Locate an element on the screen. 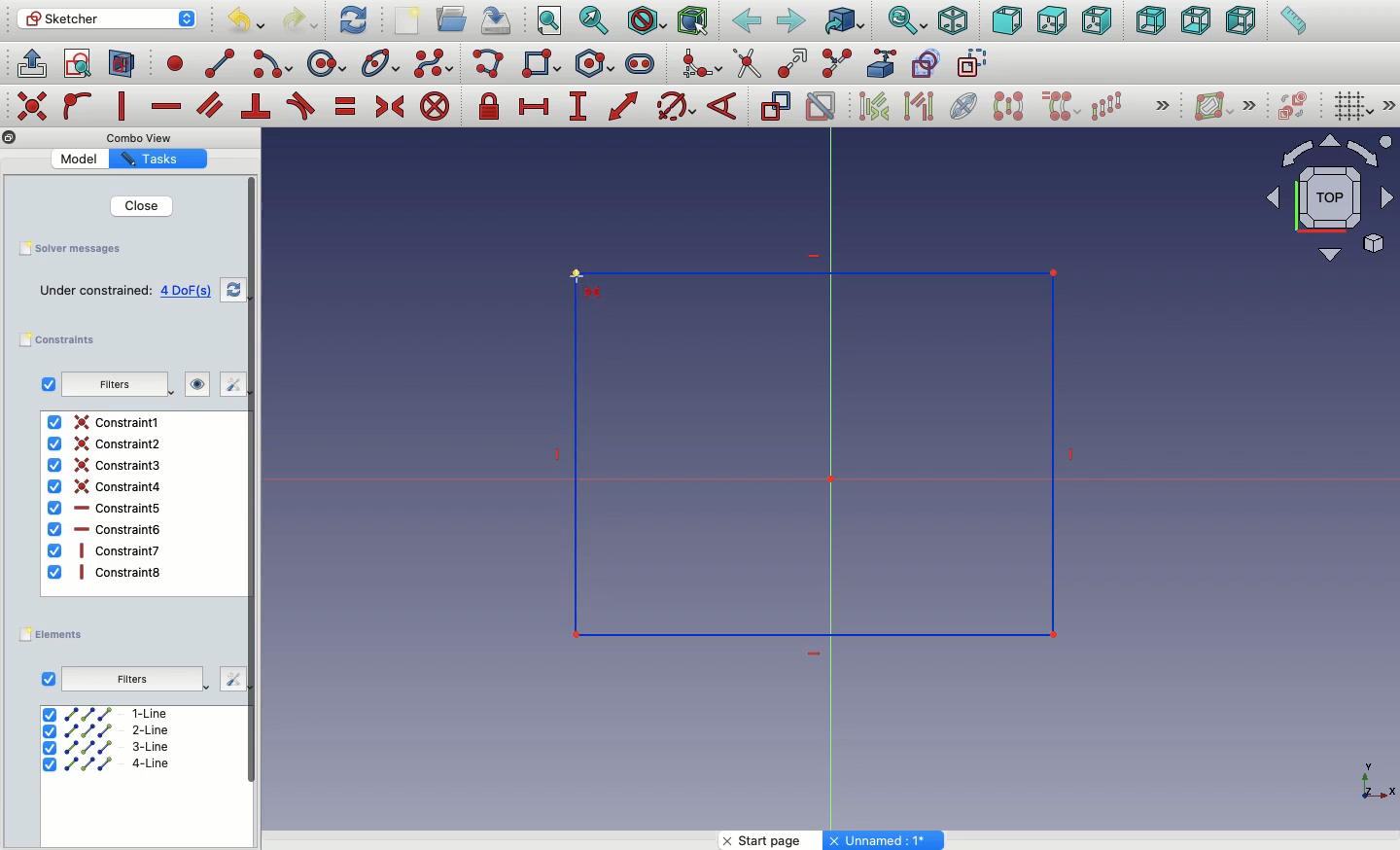 This screenshot has height=850, width=1400. Left is located at coordinates (1240, 21).